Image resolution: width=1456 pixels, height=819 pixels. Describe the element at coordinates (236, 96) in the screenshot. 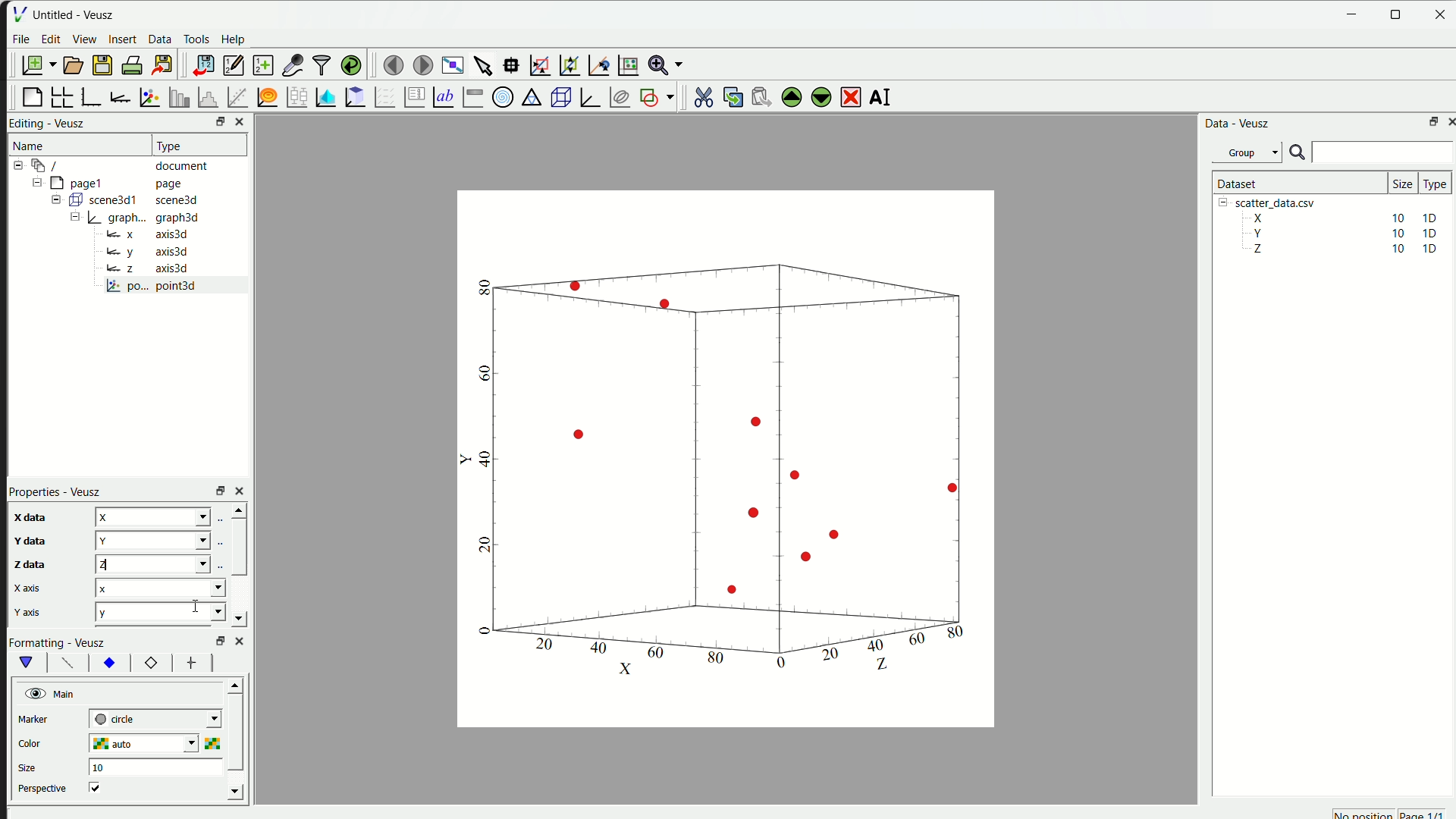

I see `fit function to data` at that location.